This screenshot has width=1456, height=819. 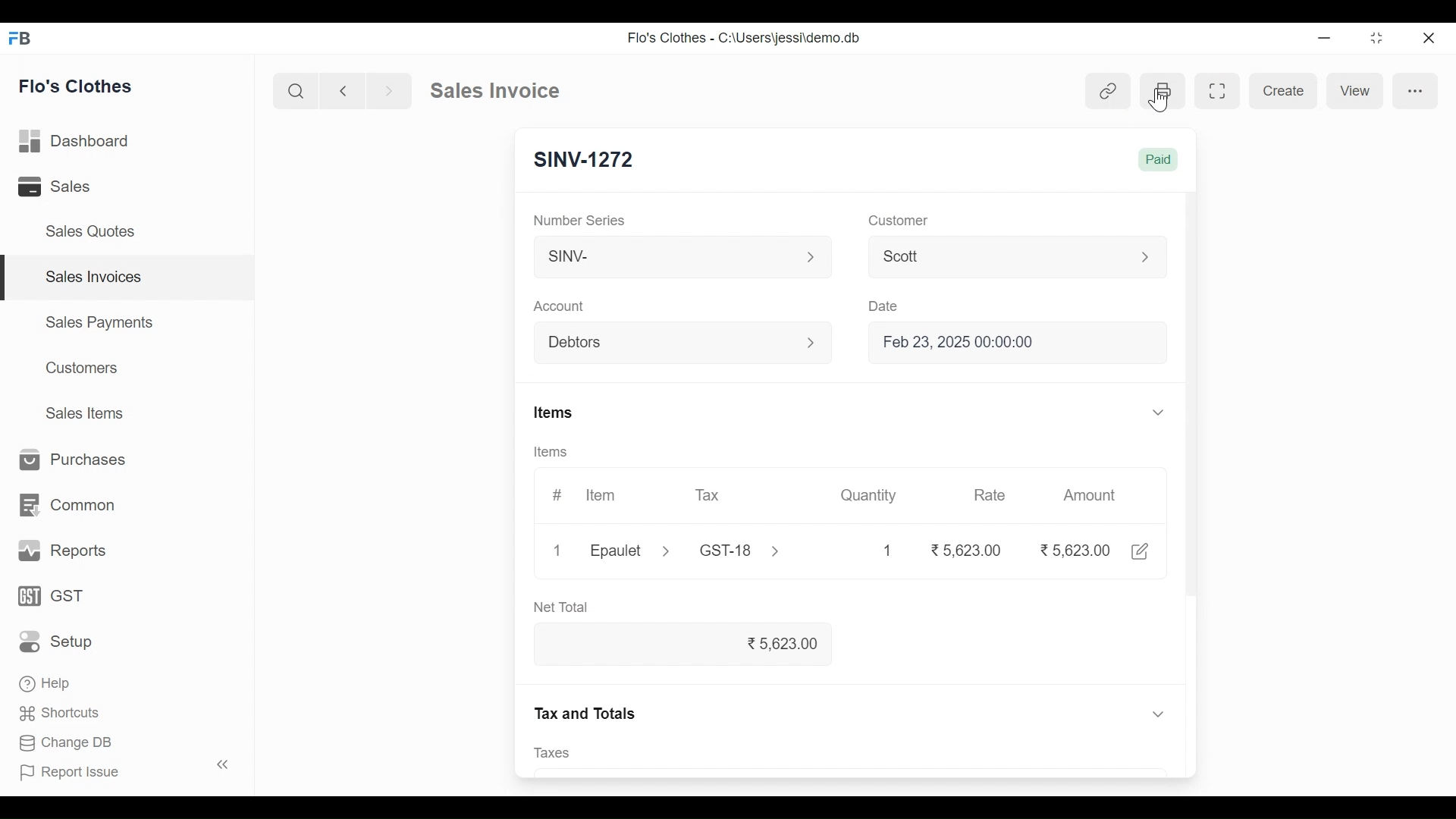 I want to click on Flo's Clothes, so click(x=77, y=85).